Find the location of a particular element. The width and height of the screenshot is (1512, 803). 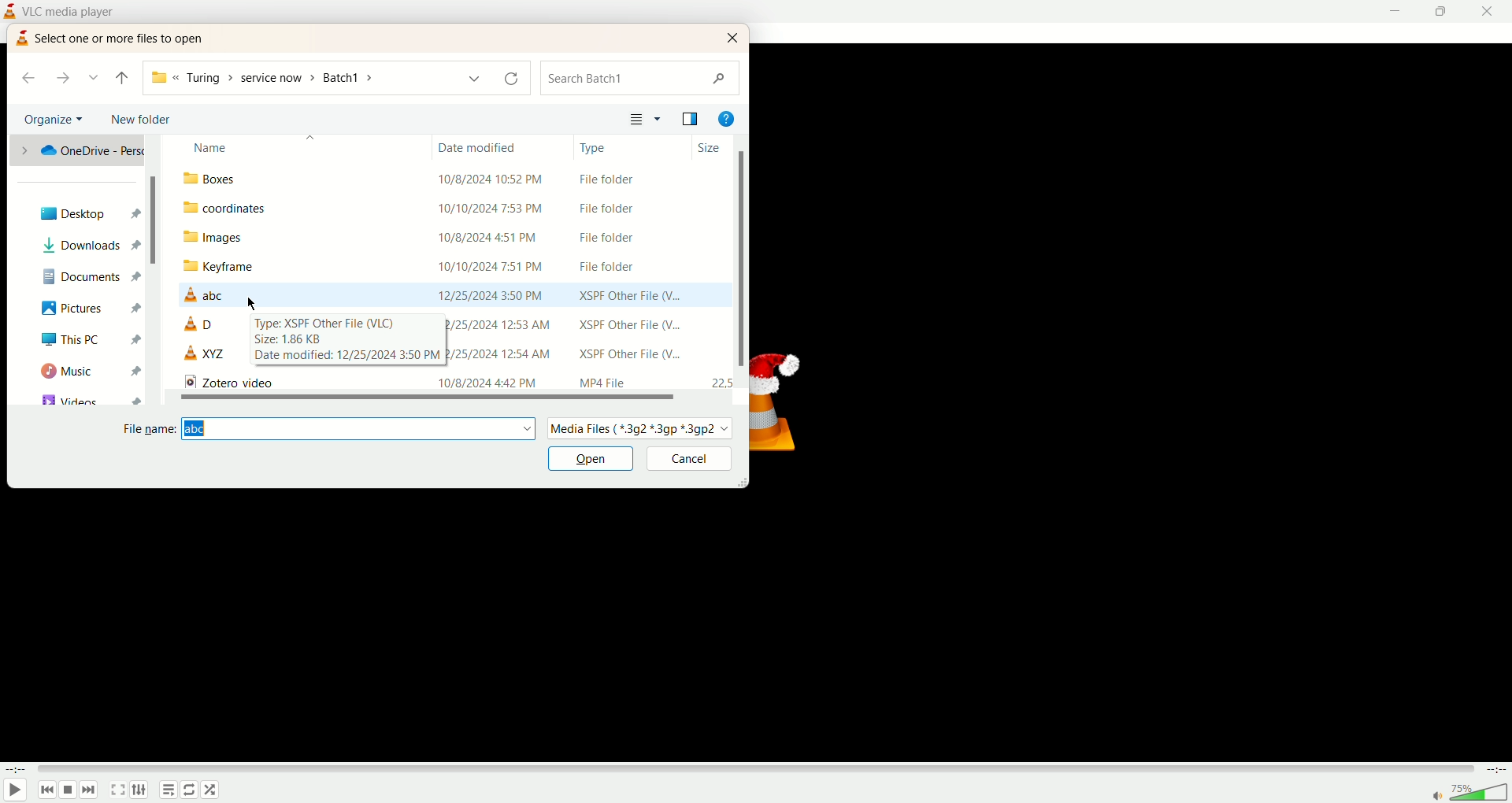

view is located at coordinates (636, 120).